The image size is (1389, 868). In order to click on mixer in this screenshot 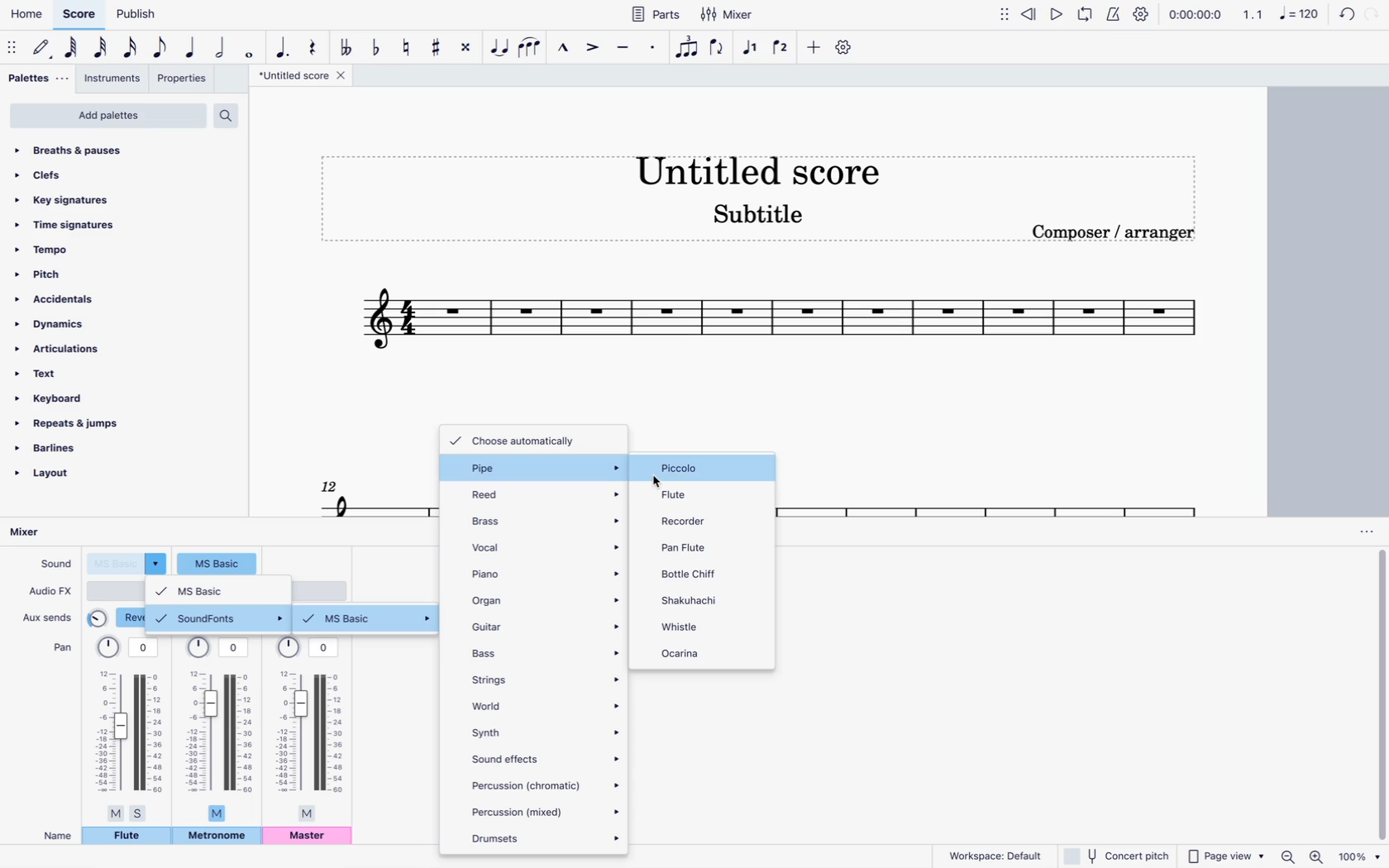, I will do `click(731, 14)`.